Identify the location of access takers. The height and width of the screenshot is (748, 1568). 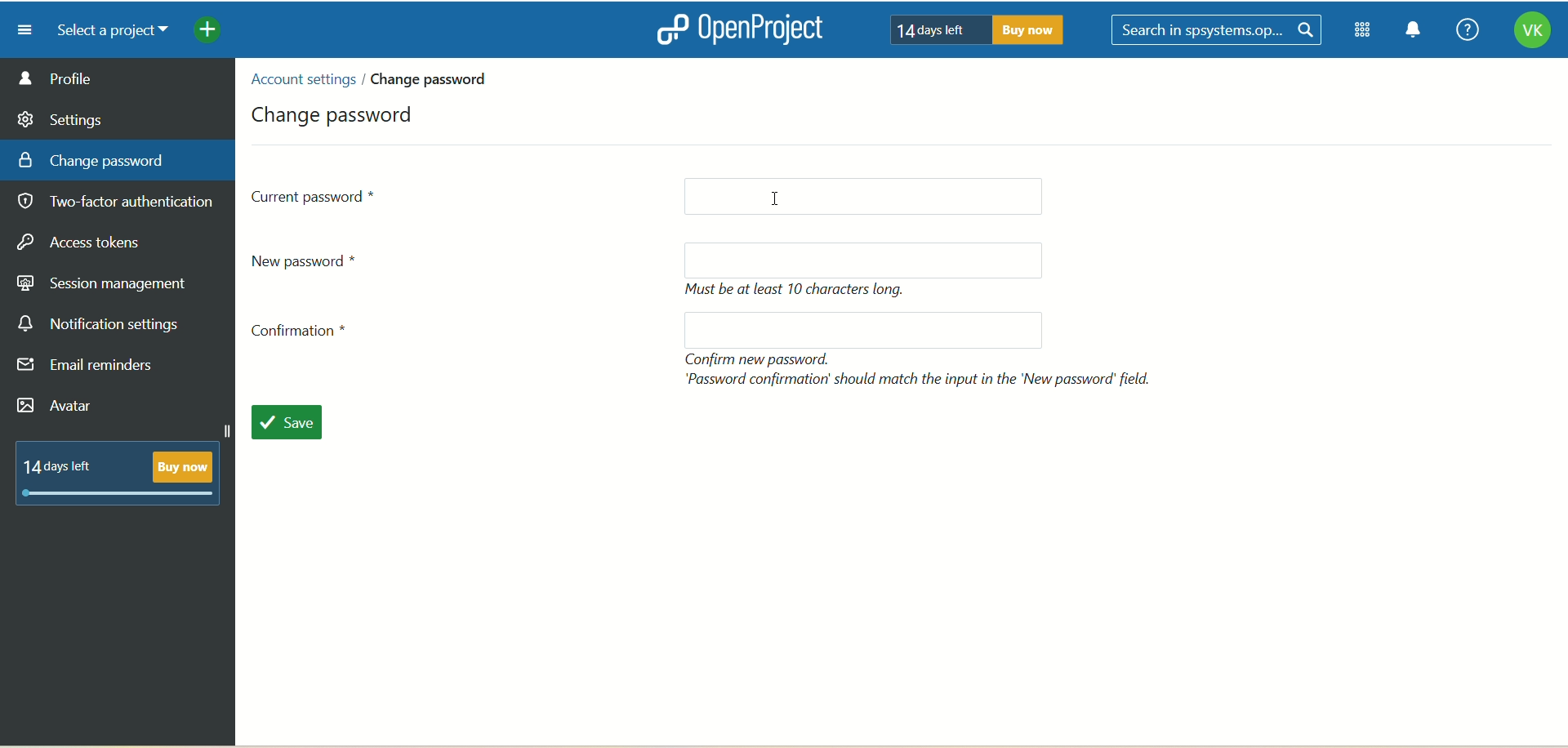
(86, 243).